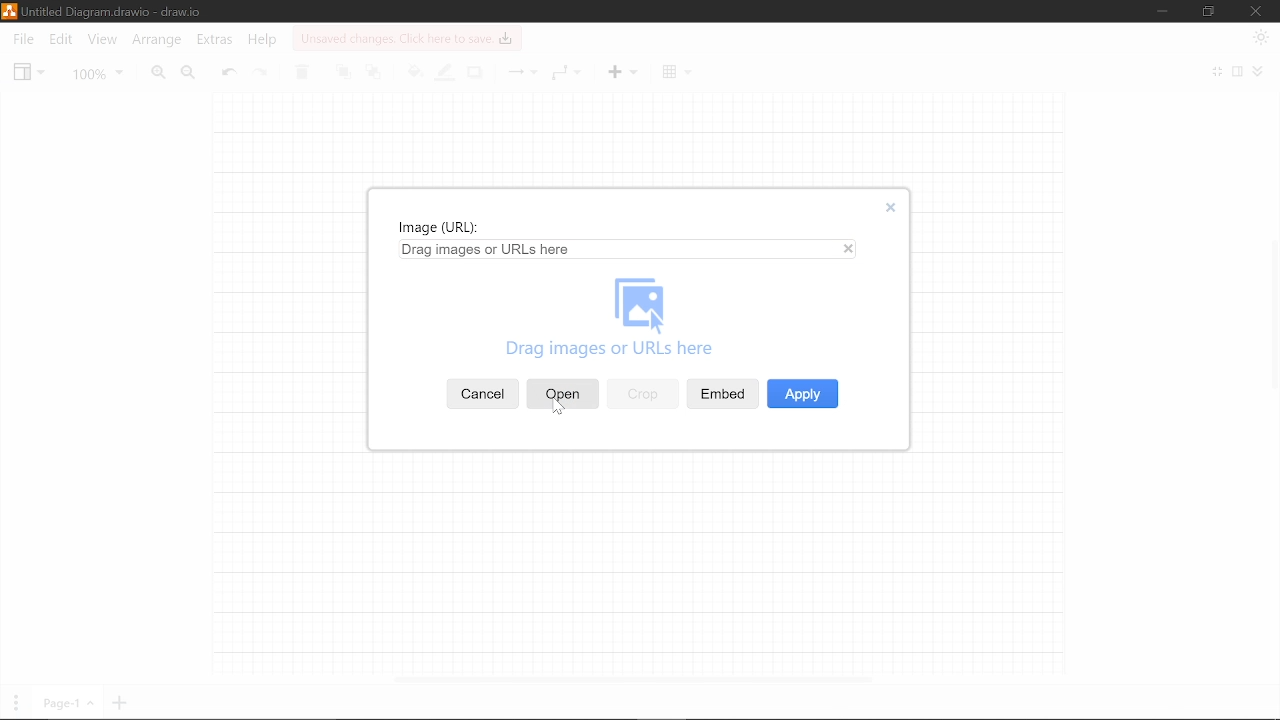 The image size is (1280, 720). I want to click on Vertical scrollbar, so click(1272, 311).